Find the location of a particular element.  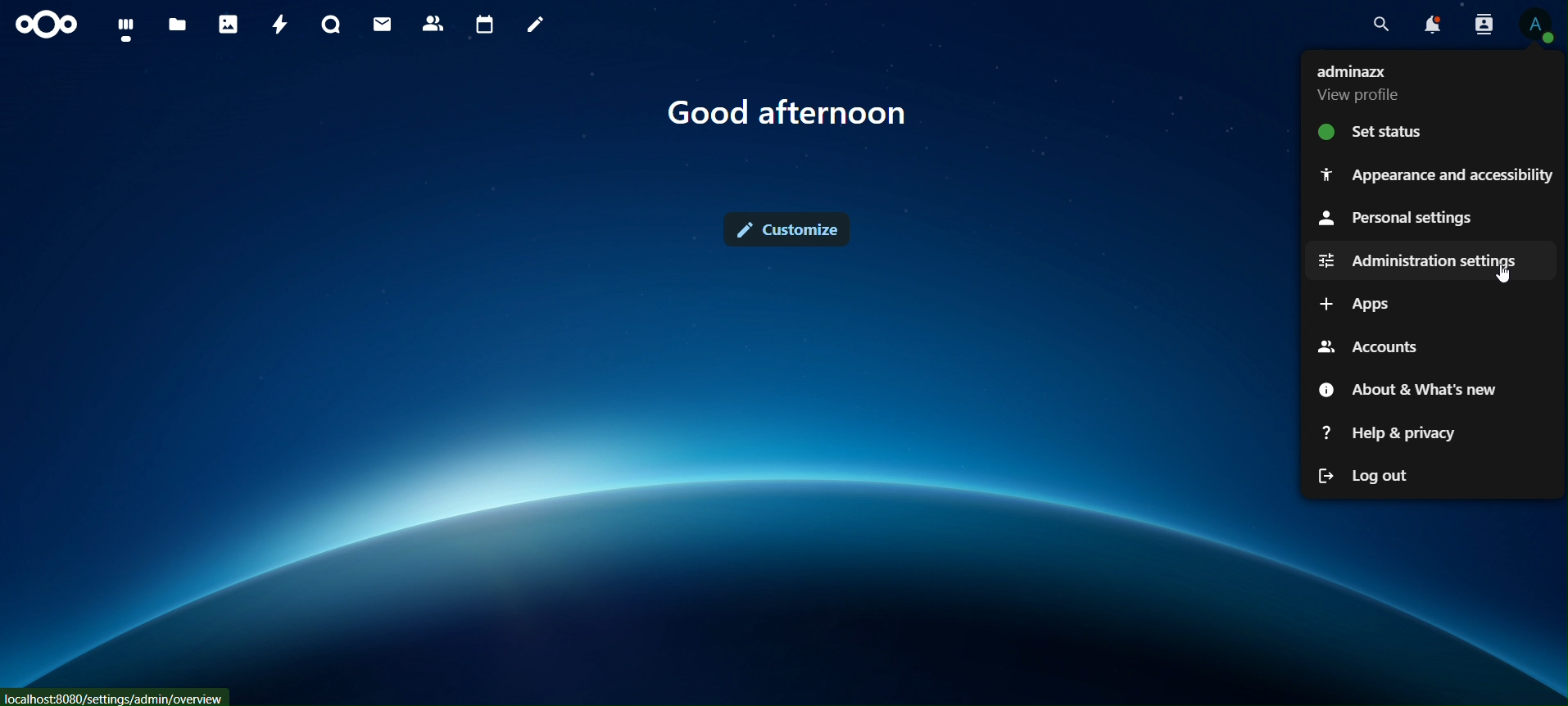

help & privacy is located at coordinates (1385, 432).